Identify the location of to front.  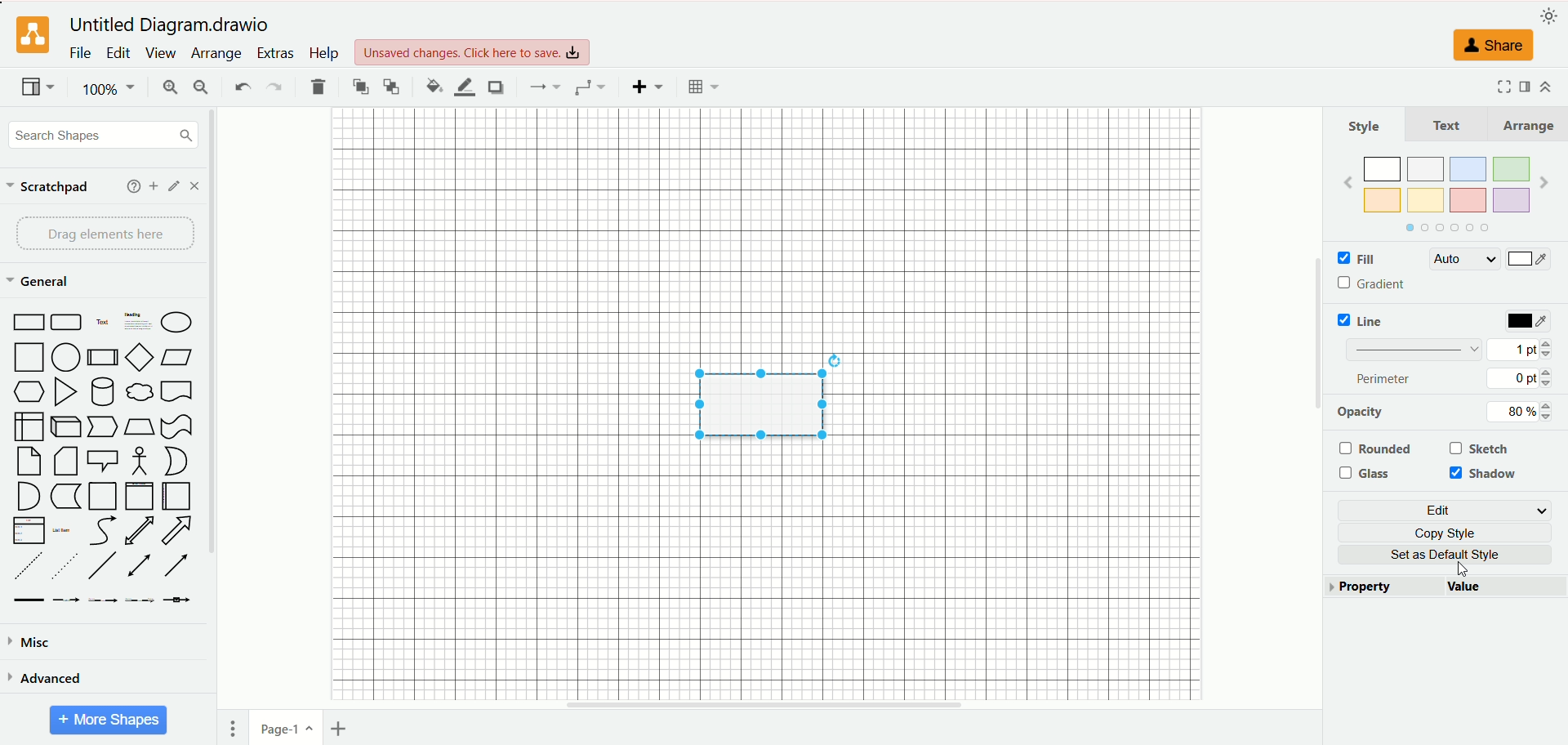
(362, 86).